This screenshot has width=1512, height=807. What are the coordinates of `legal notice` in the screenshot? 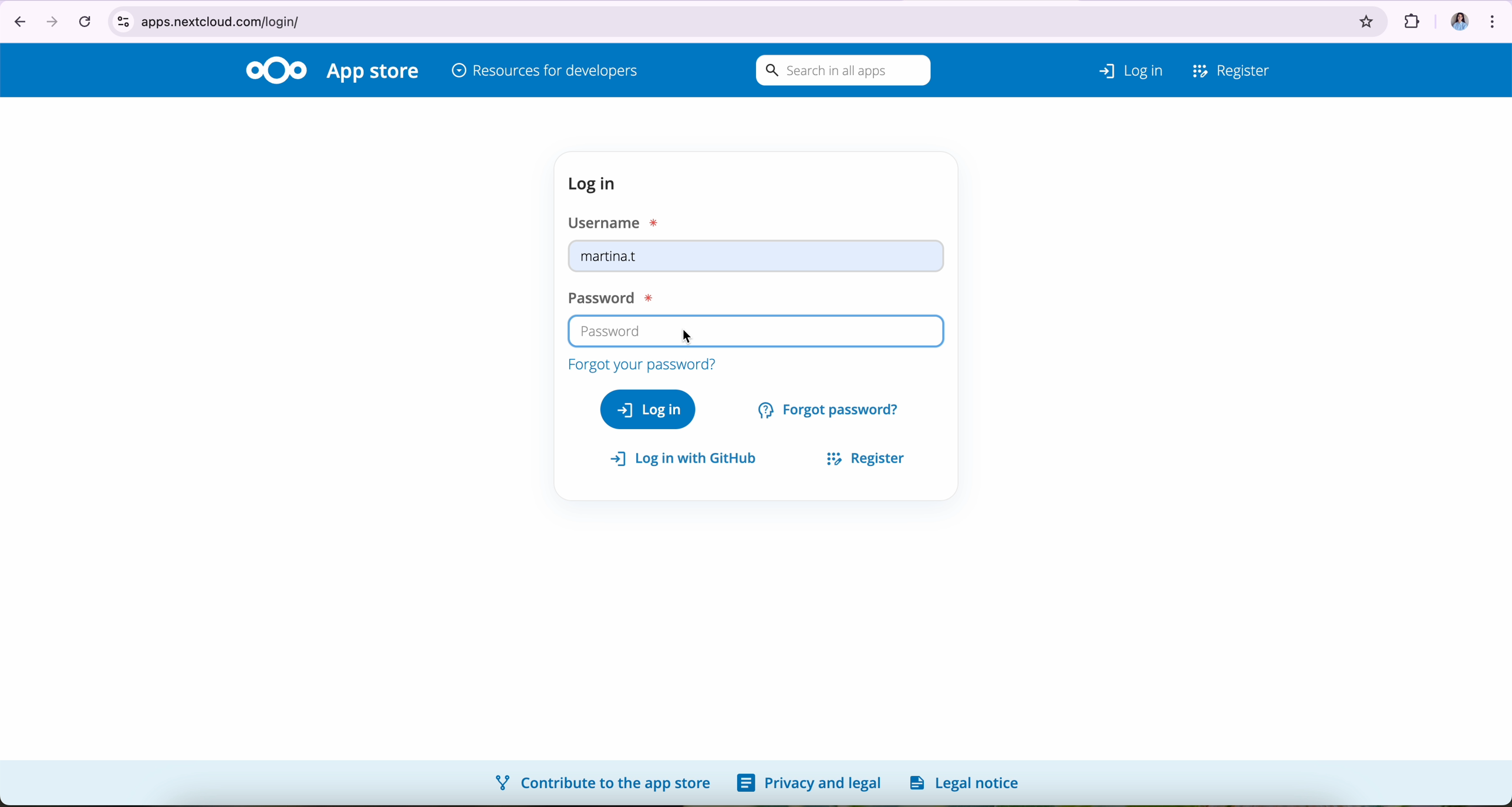 It's located at (968, 782).